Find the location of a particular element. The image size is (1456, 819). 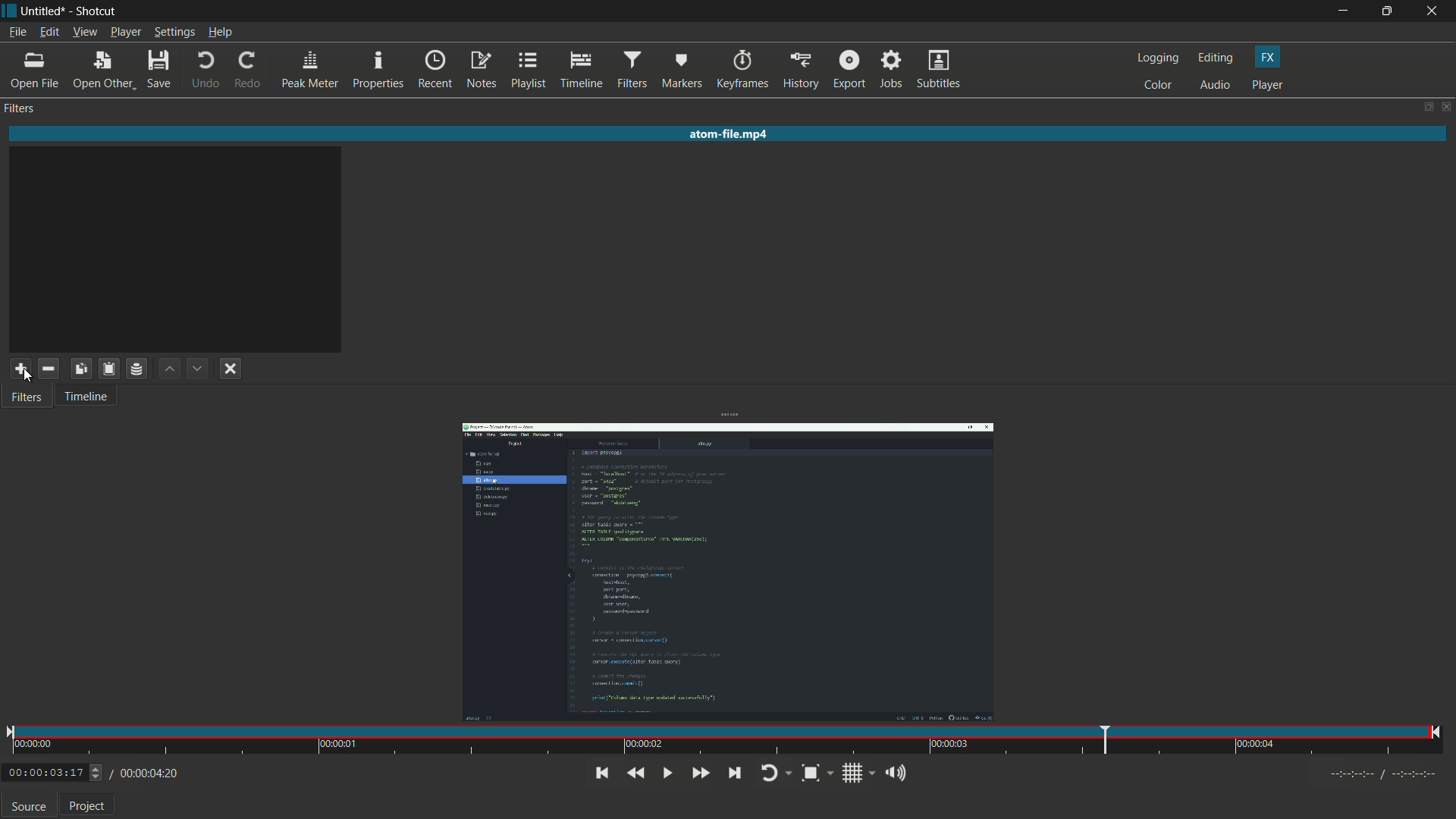

undo is located at coordinates (206, 71).